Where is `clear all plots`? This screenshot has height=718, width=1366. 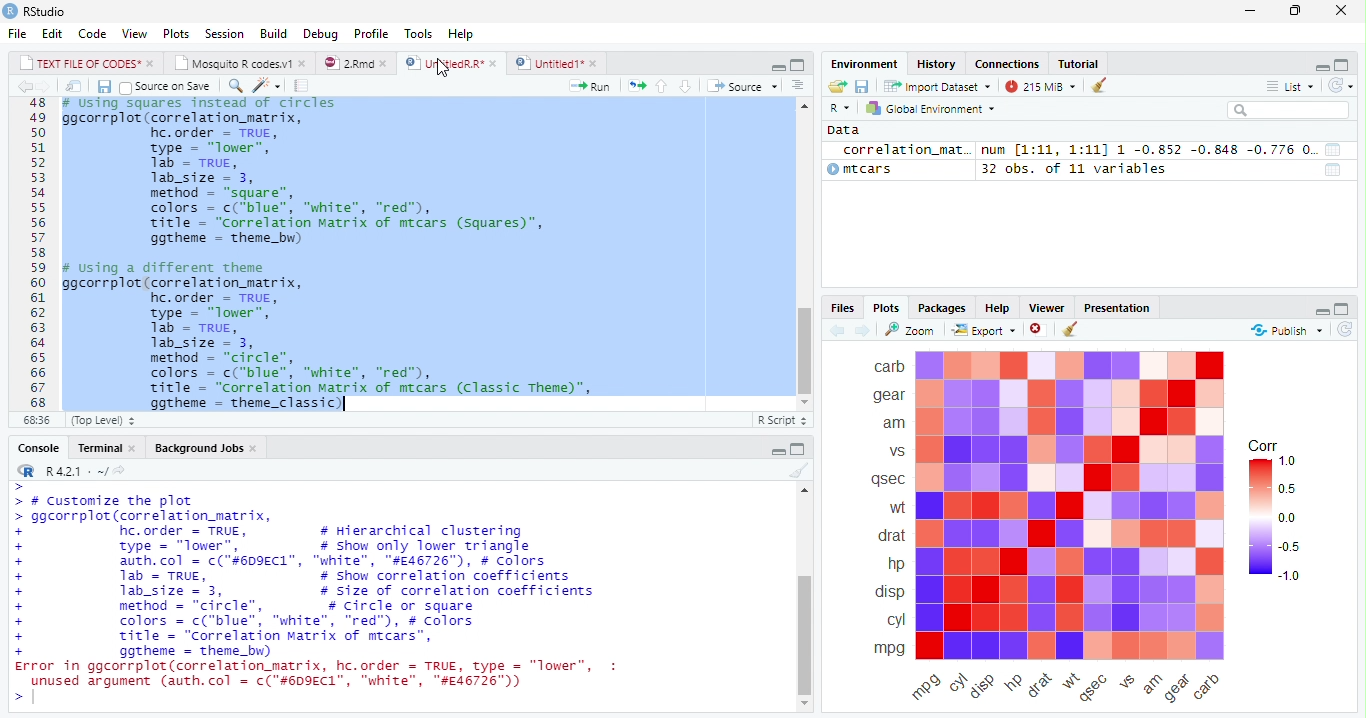 clear all plots is located at coordinates (1069, 330).